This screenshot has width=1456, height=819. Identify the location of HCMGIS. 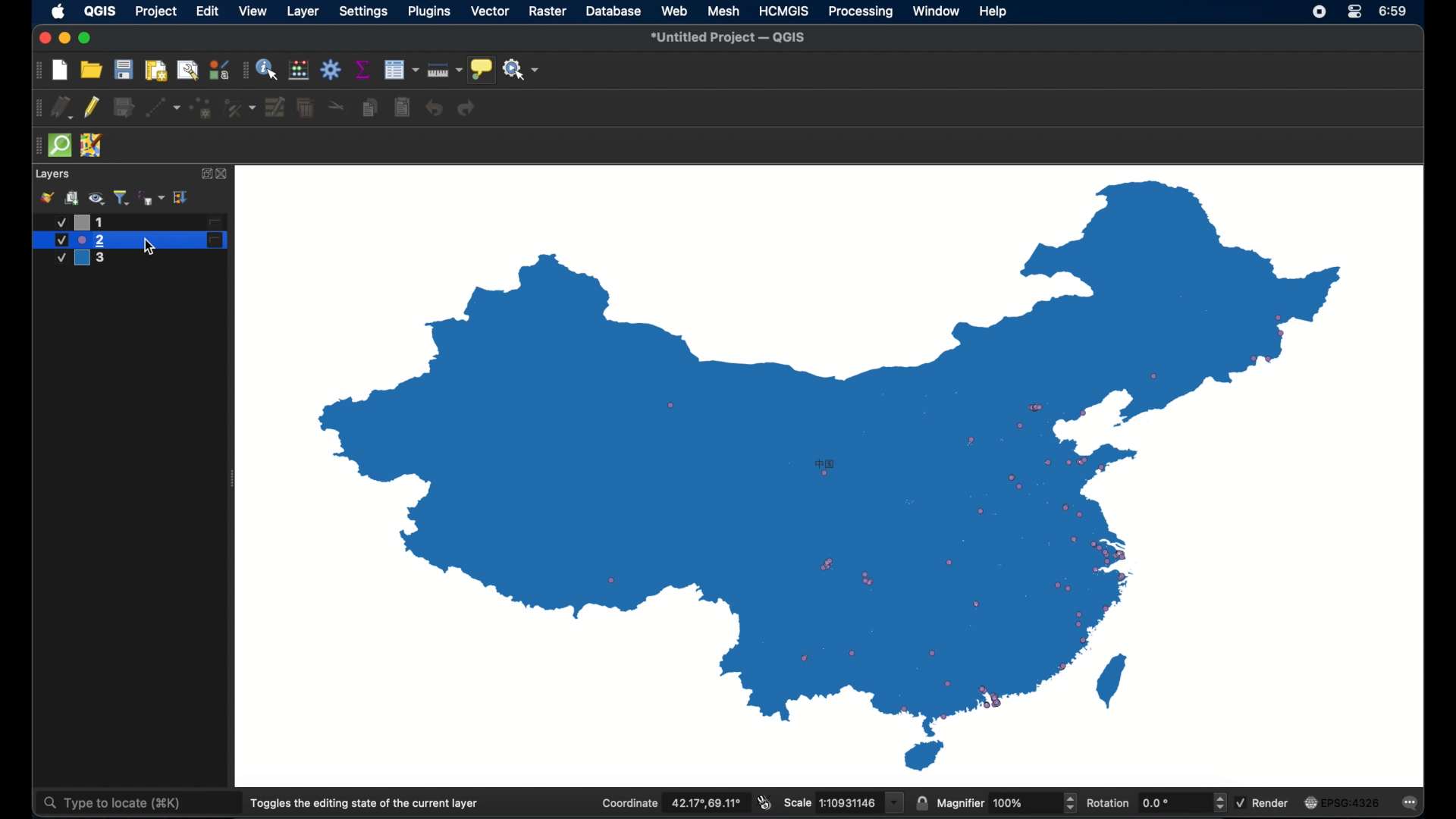
(784, 11).